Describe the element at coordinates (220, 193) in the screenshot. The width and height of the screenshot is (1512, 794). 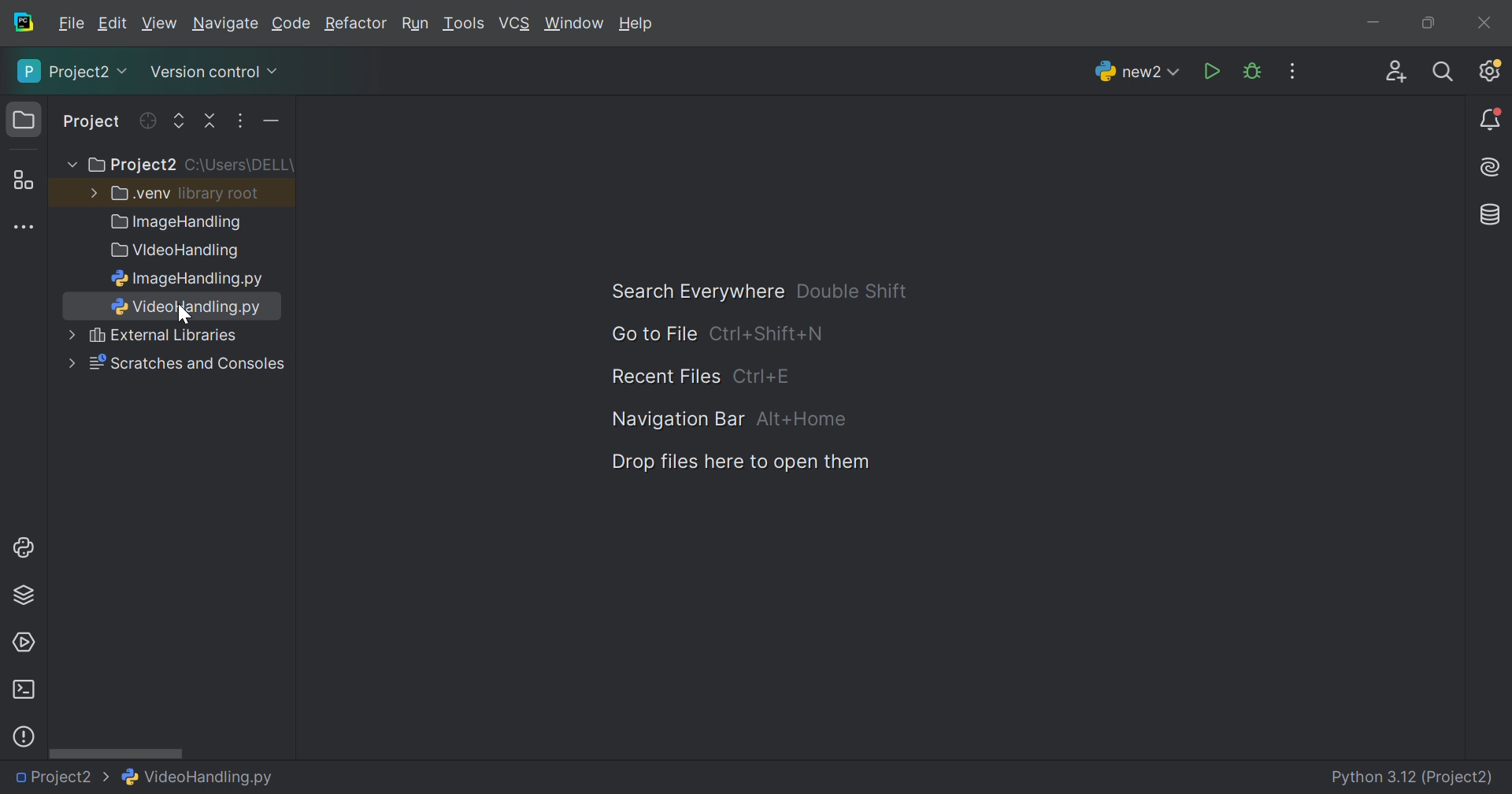
I see `library root` at that location.